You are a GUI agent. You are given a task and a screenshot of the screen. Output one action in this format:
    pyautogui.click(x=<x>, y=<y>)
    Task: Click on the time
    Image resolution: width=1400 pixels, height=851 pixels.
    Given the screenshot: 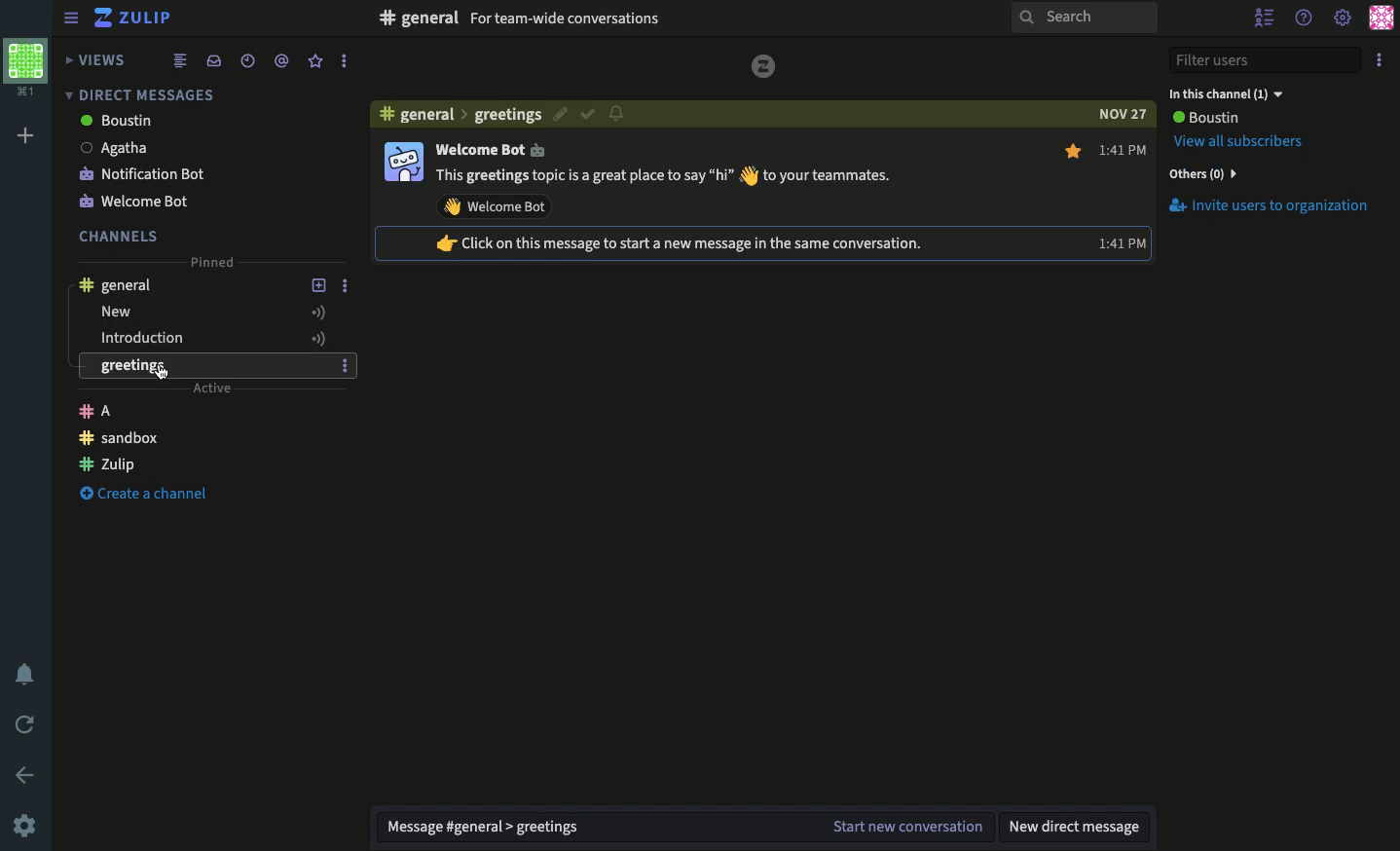 What is the action you would take?
    pyautogui.click(x=1124, y=242)
    